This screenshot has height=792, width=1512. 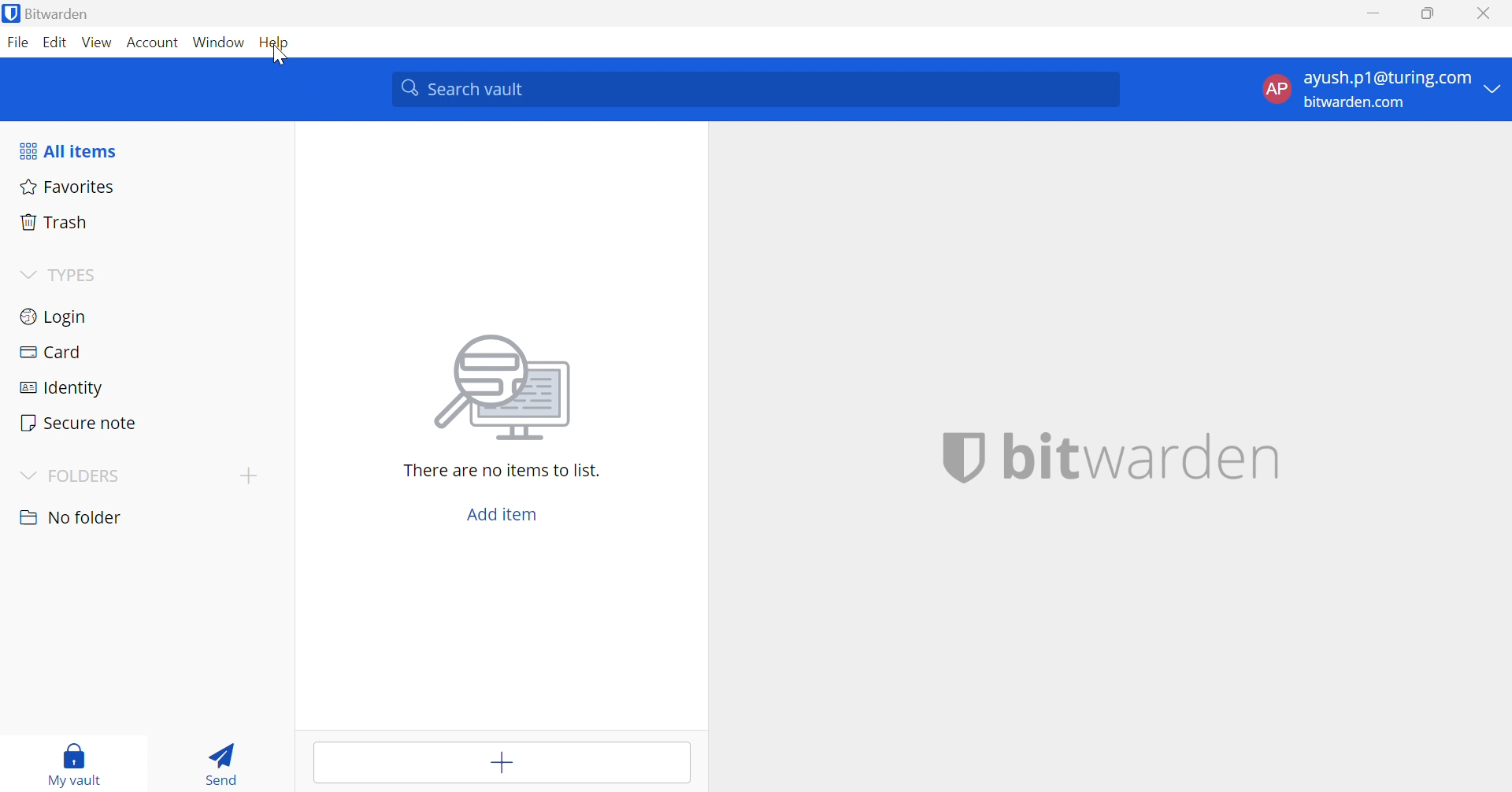 What do you see at coordinates (150, 222) in the screenshot?
I see `Trash` at bounding box center [150, 222].